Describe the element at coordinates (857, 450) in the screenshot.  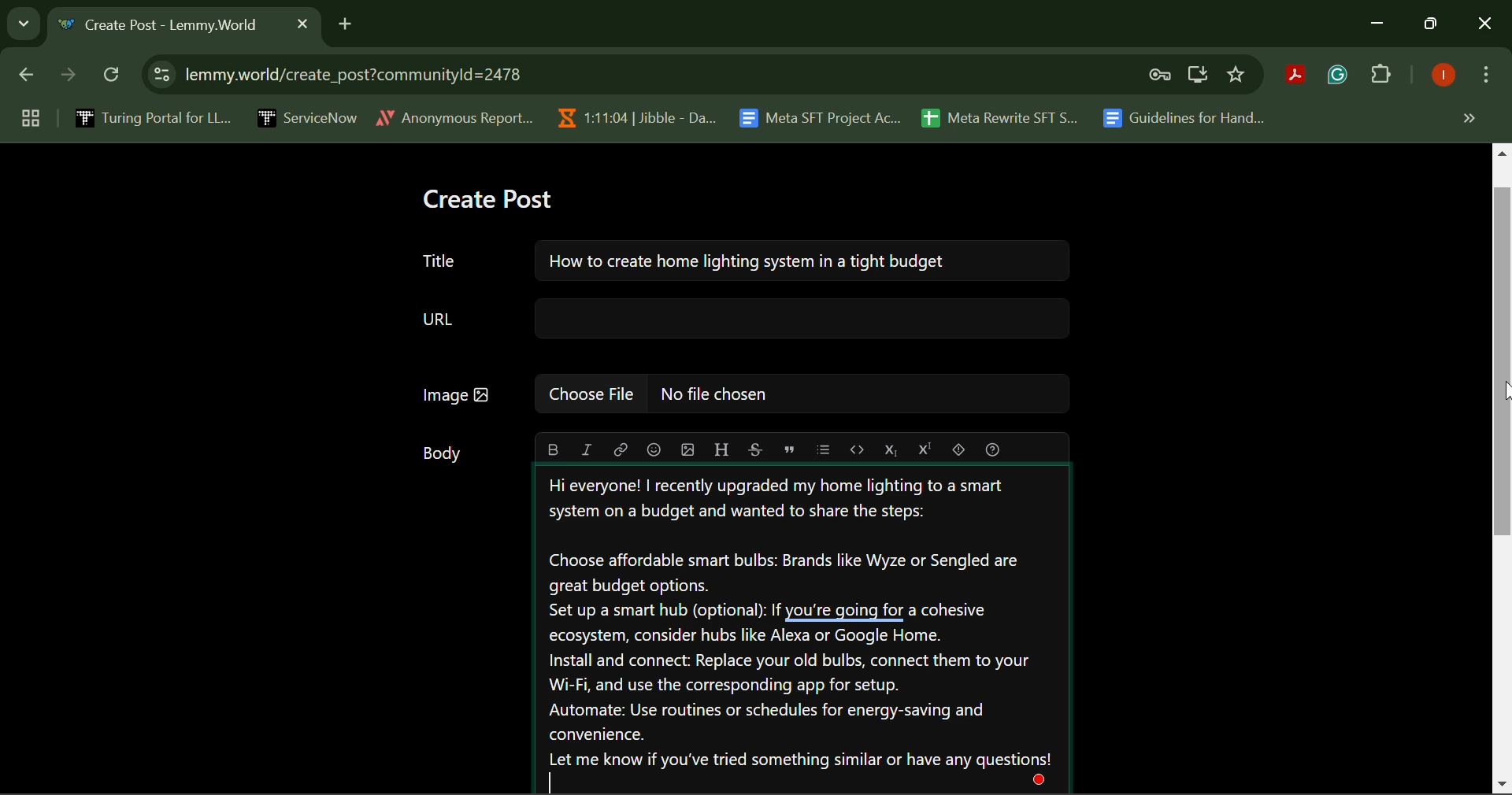
I see `code` at that location.